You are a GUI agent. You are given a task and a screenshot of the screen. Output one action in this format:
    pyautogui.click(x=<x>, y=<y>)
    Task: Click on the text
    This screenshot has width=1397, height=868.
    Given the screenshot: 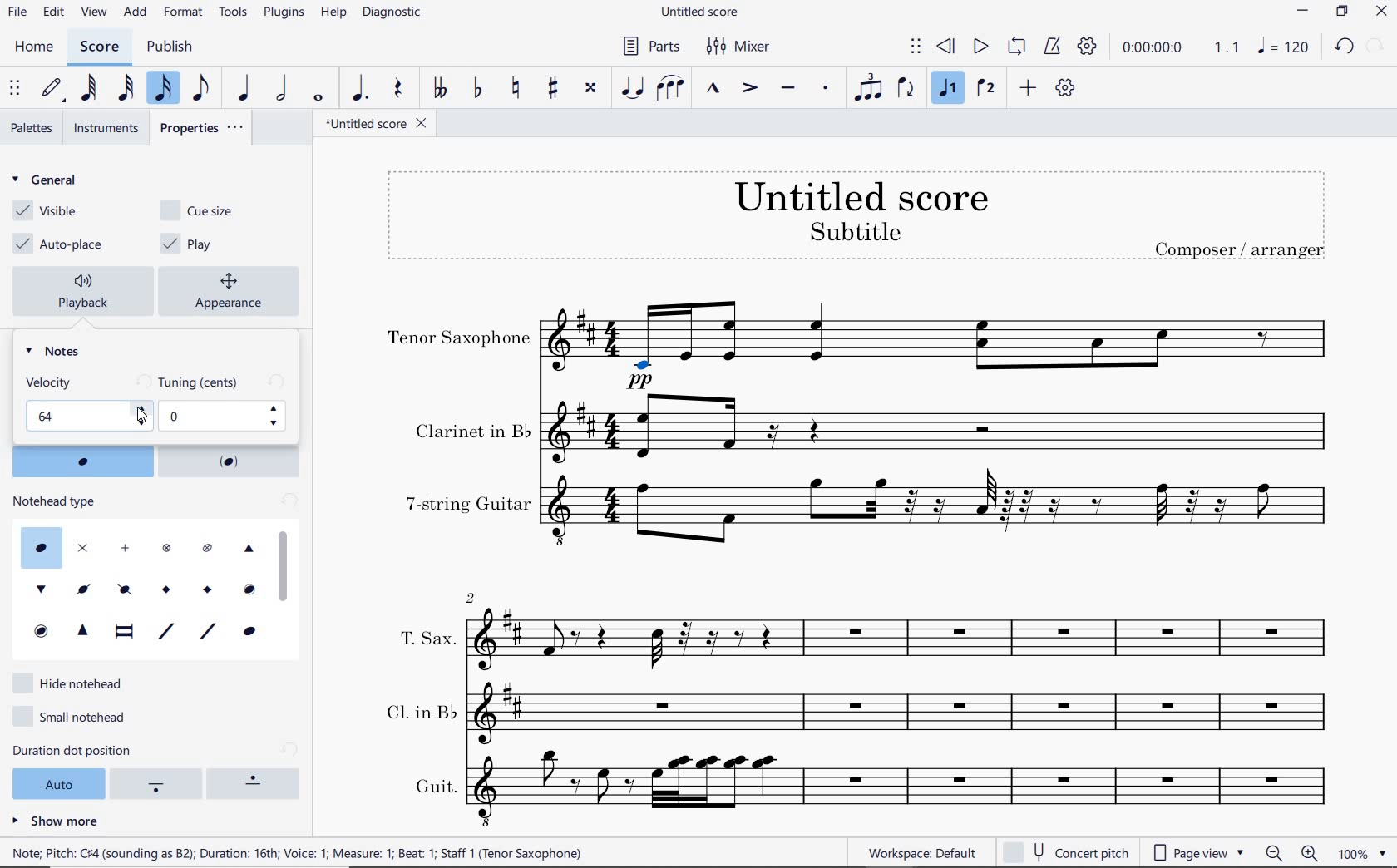 What is the action you would take?
    pyautogui.click(x=471, y=431)
    